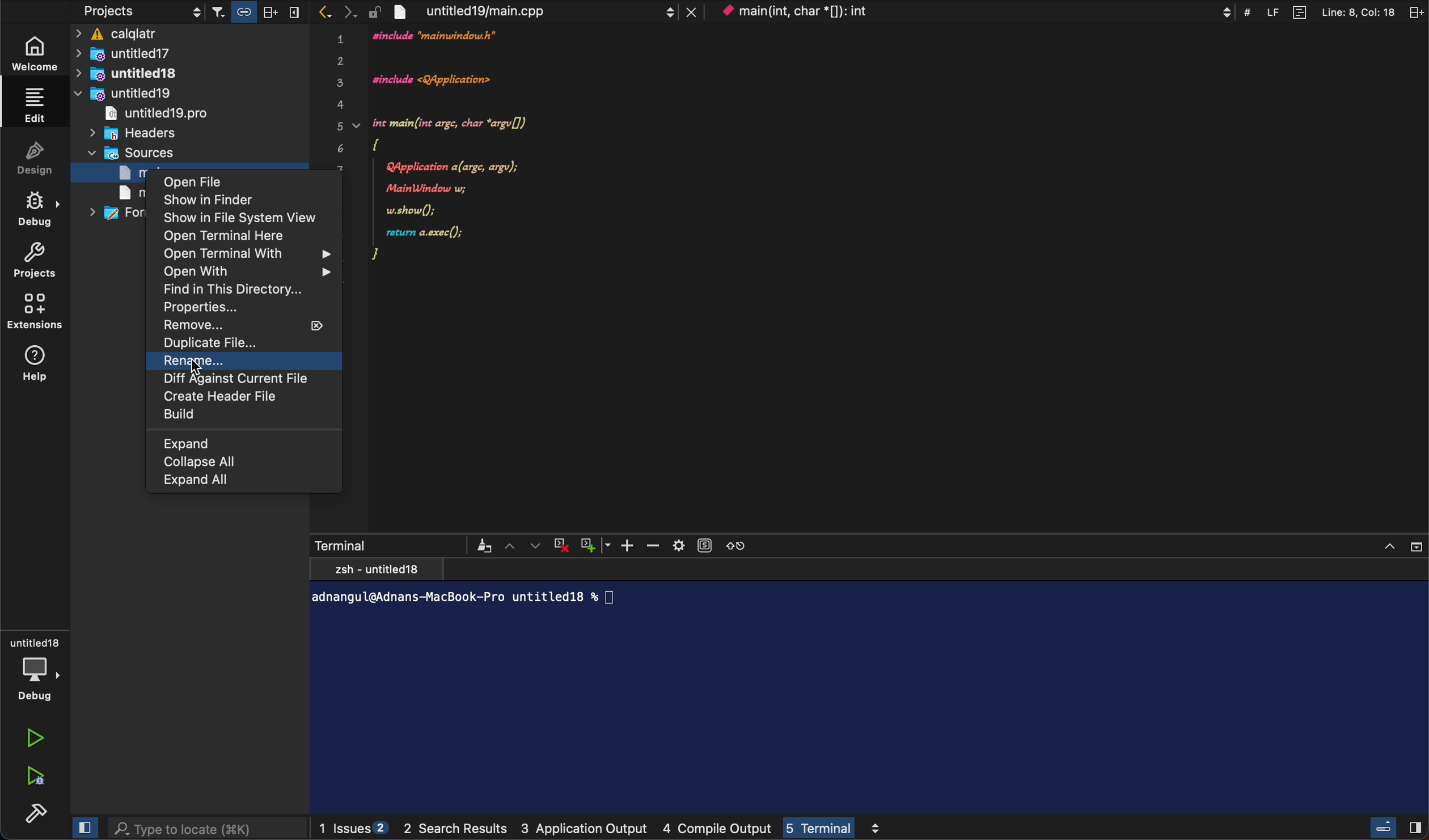  Describe the element at coordinates (231, 200) in the screenshot. I see `show` at that location.